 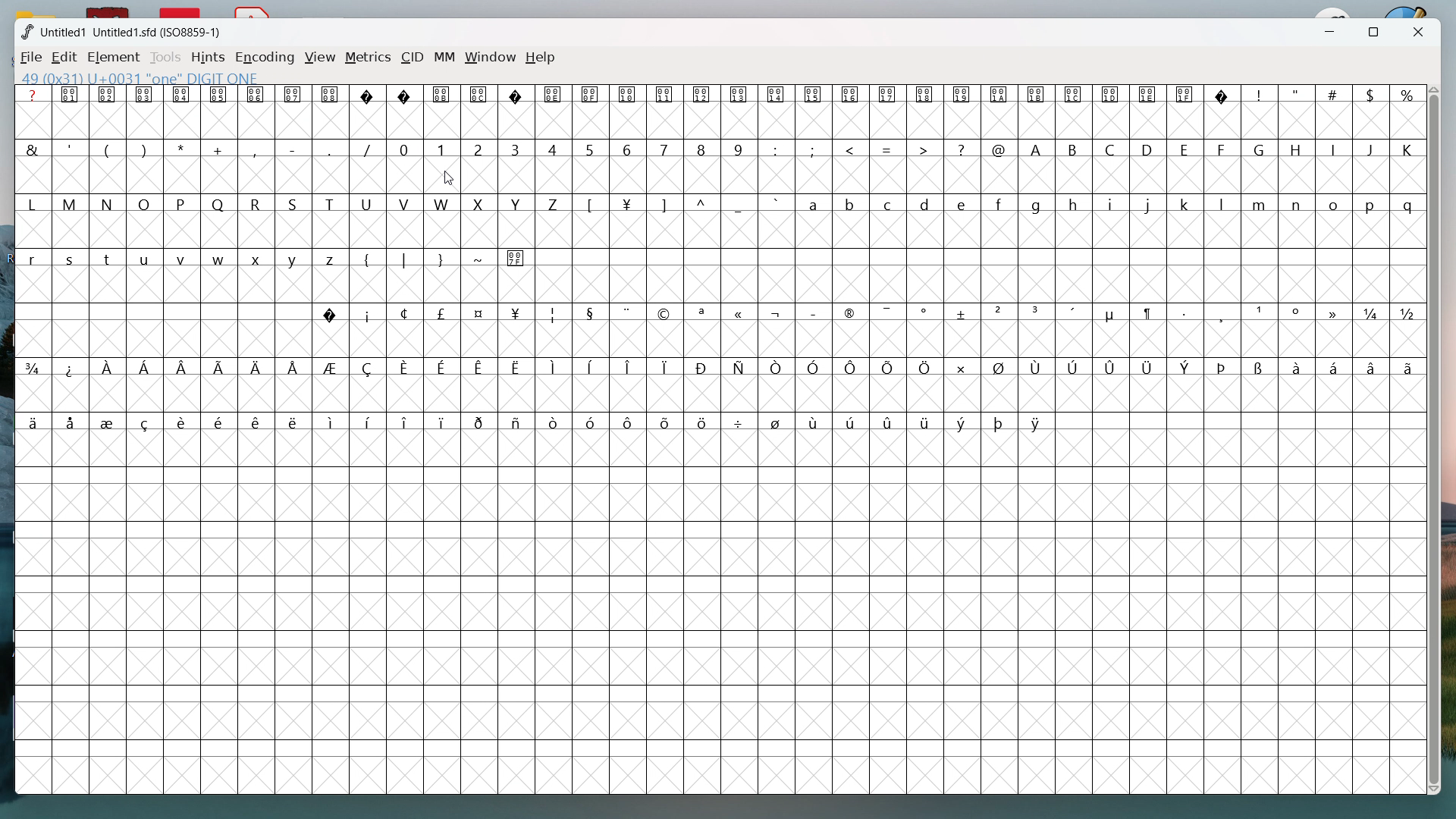 What do you see at coordinates (1335, 149) in the screenshot?
I see `I` at bounding box center [1335, 149].